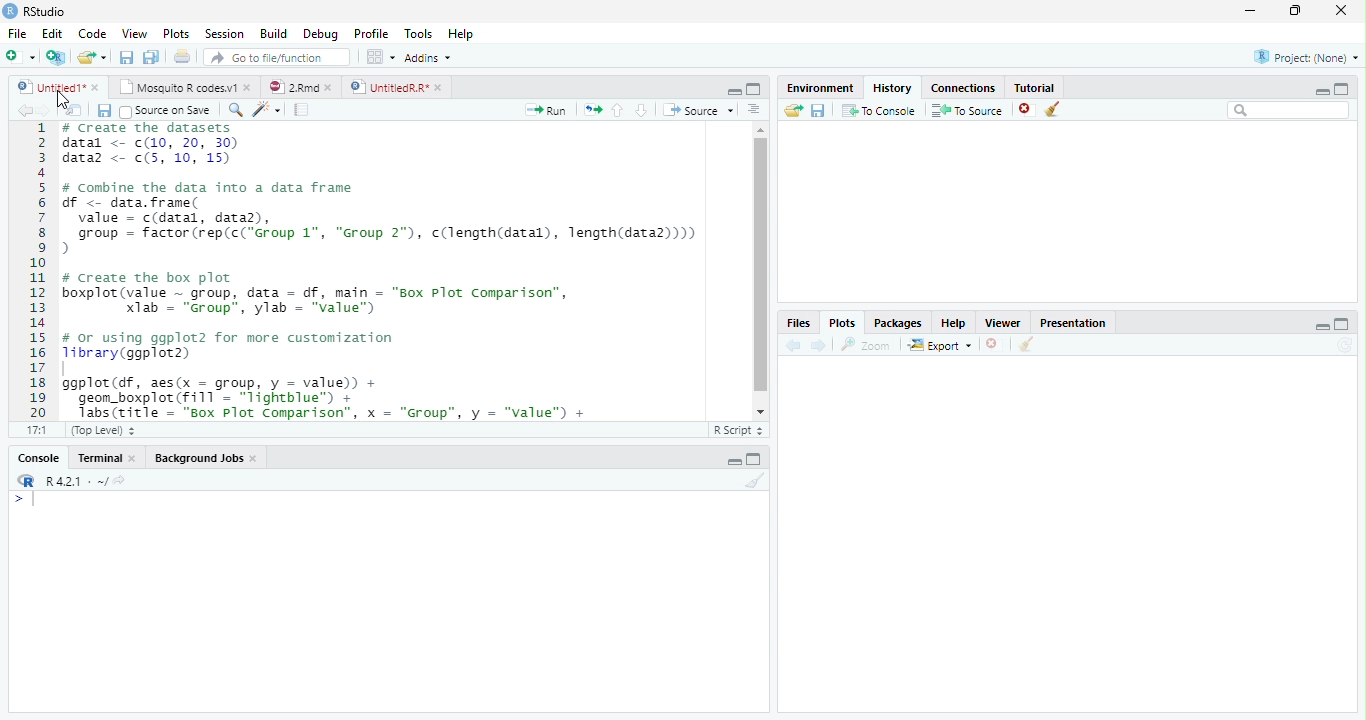  What do you see at coordinates (1289, 111) in the screenshot?
I see `Search bar` at bounding box center [1289, 111].